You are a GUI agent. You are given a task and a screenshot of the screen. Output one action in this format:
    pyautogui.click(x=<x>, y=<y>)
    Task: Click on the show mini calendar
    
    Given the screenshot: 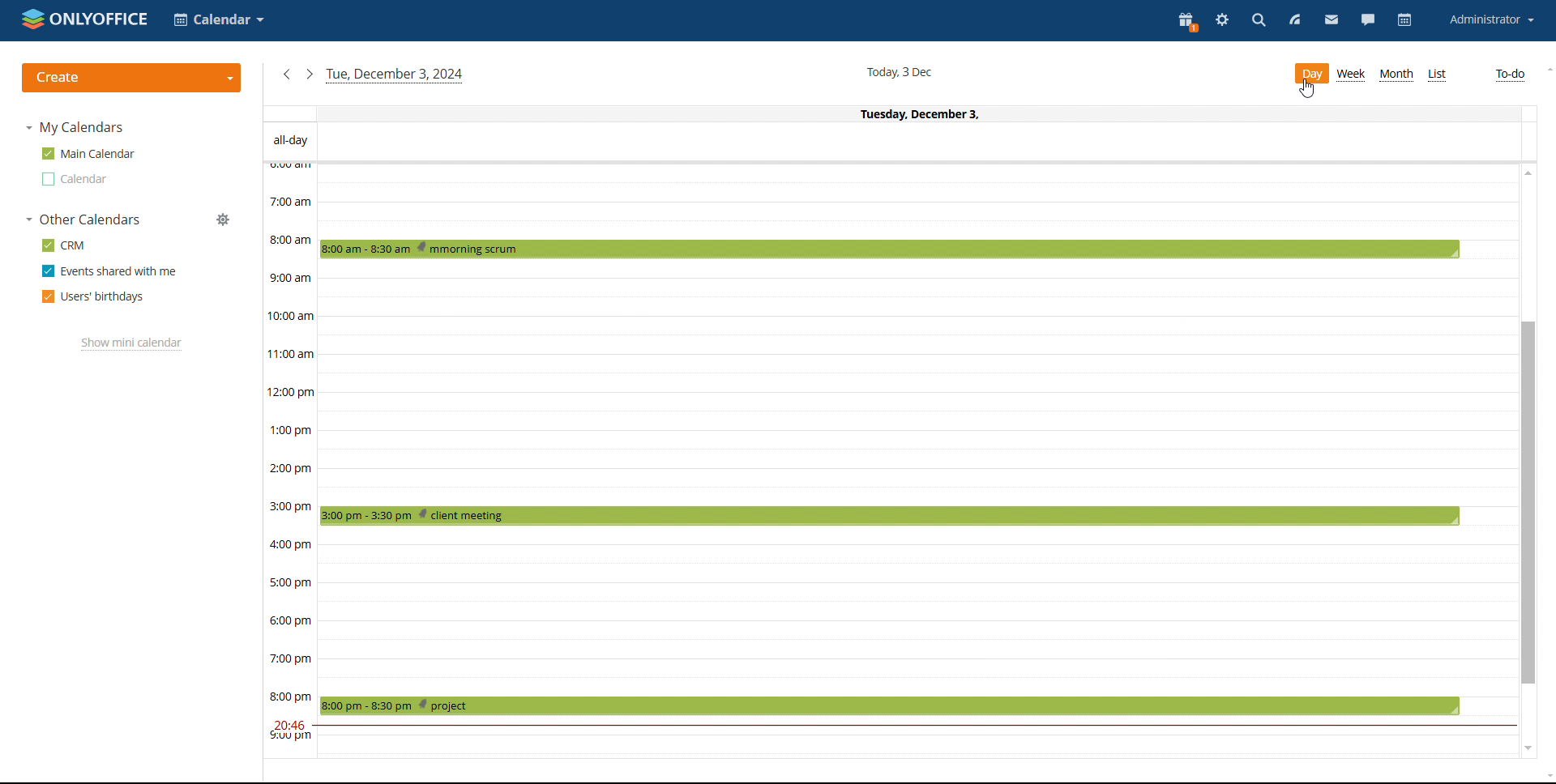 What is the action you would take?
    pyautogui.click(x=132, y=344)
    